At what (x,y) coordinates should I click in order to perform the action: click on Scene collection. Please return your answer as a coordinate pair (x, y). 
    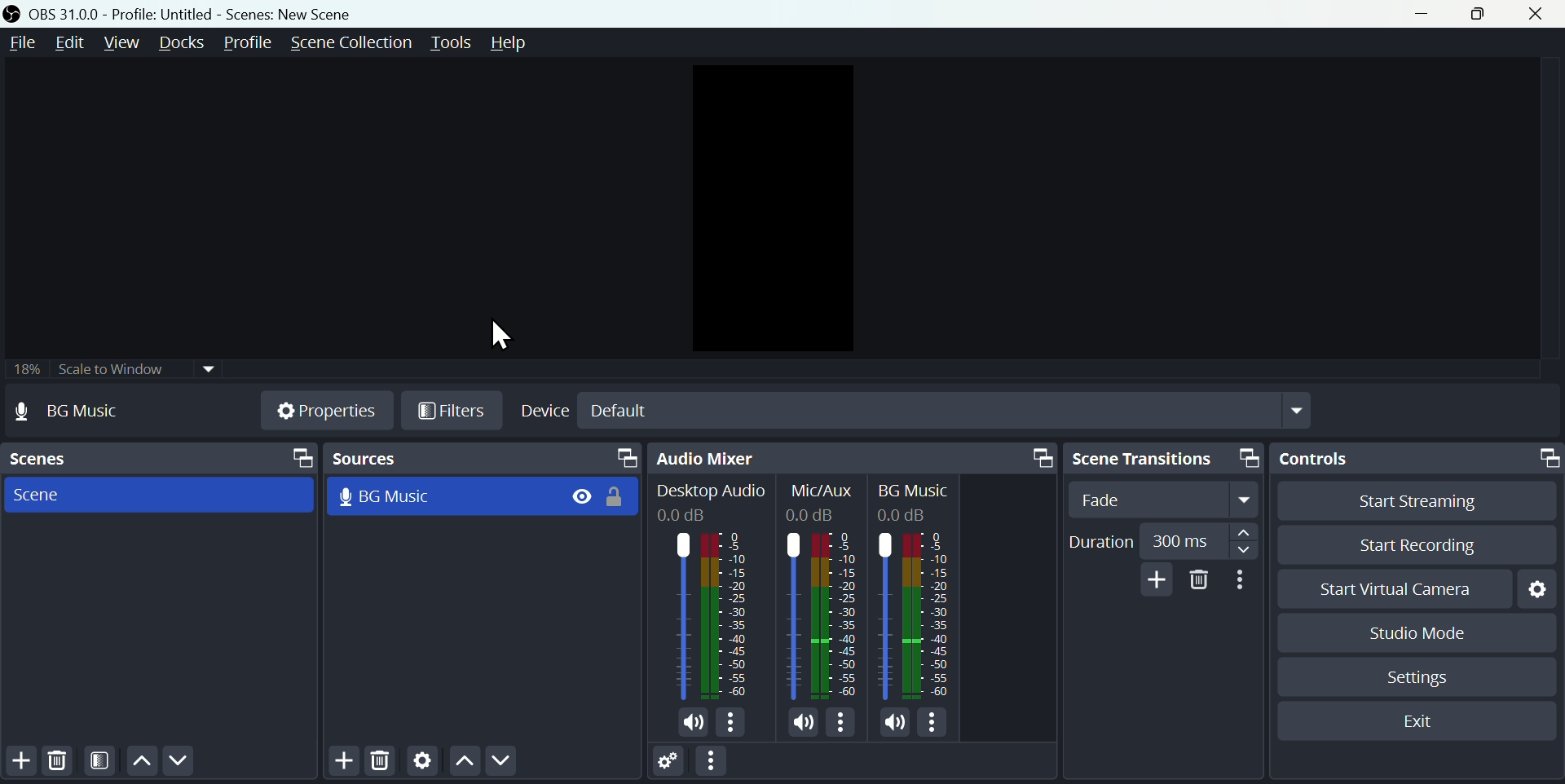
    Looking at the image, I should click on (355, 42).